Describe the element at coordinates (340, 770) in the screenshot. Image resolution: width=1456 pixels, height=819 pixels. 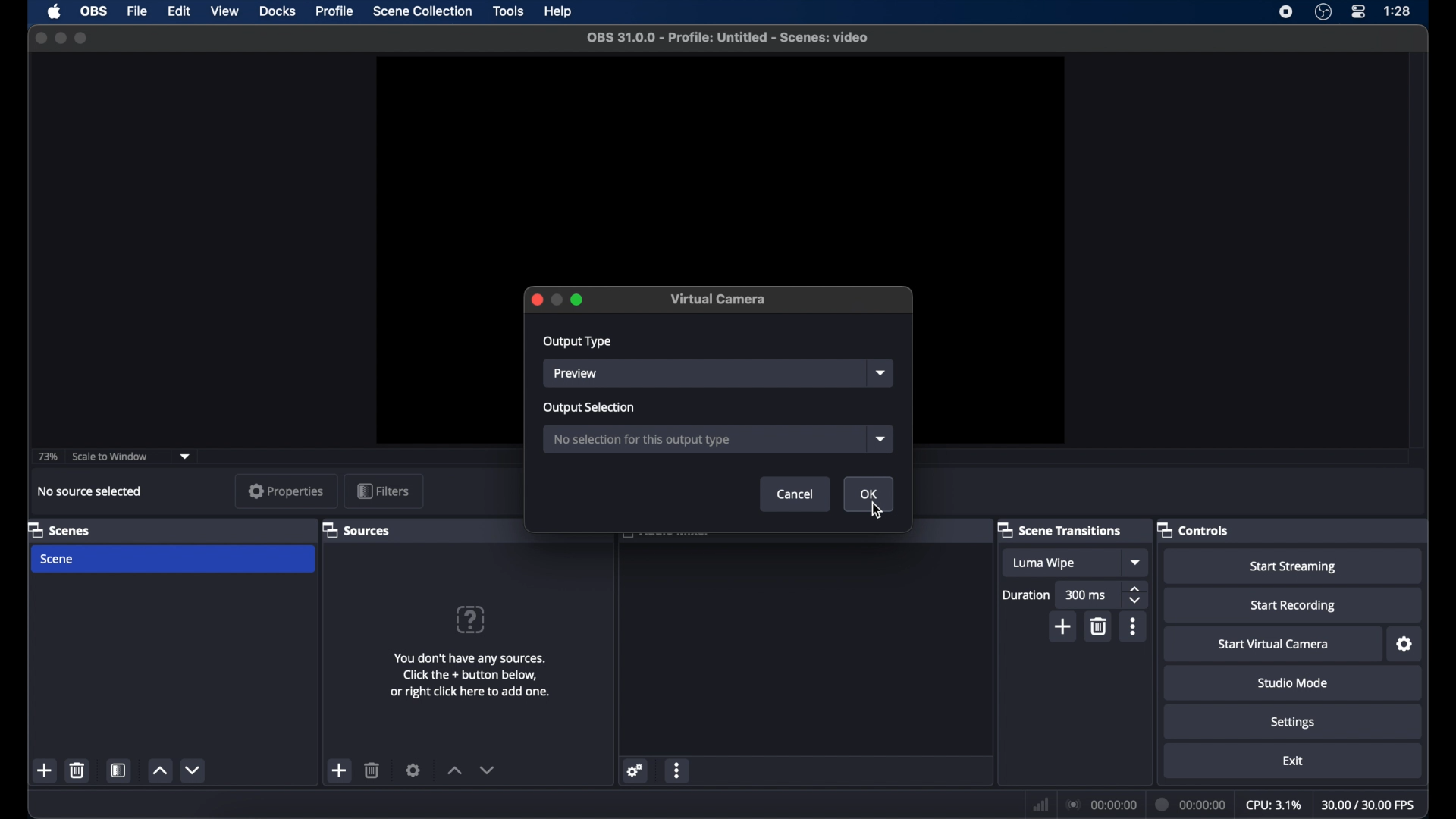
I see `add` at that location.